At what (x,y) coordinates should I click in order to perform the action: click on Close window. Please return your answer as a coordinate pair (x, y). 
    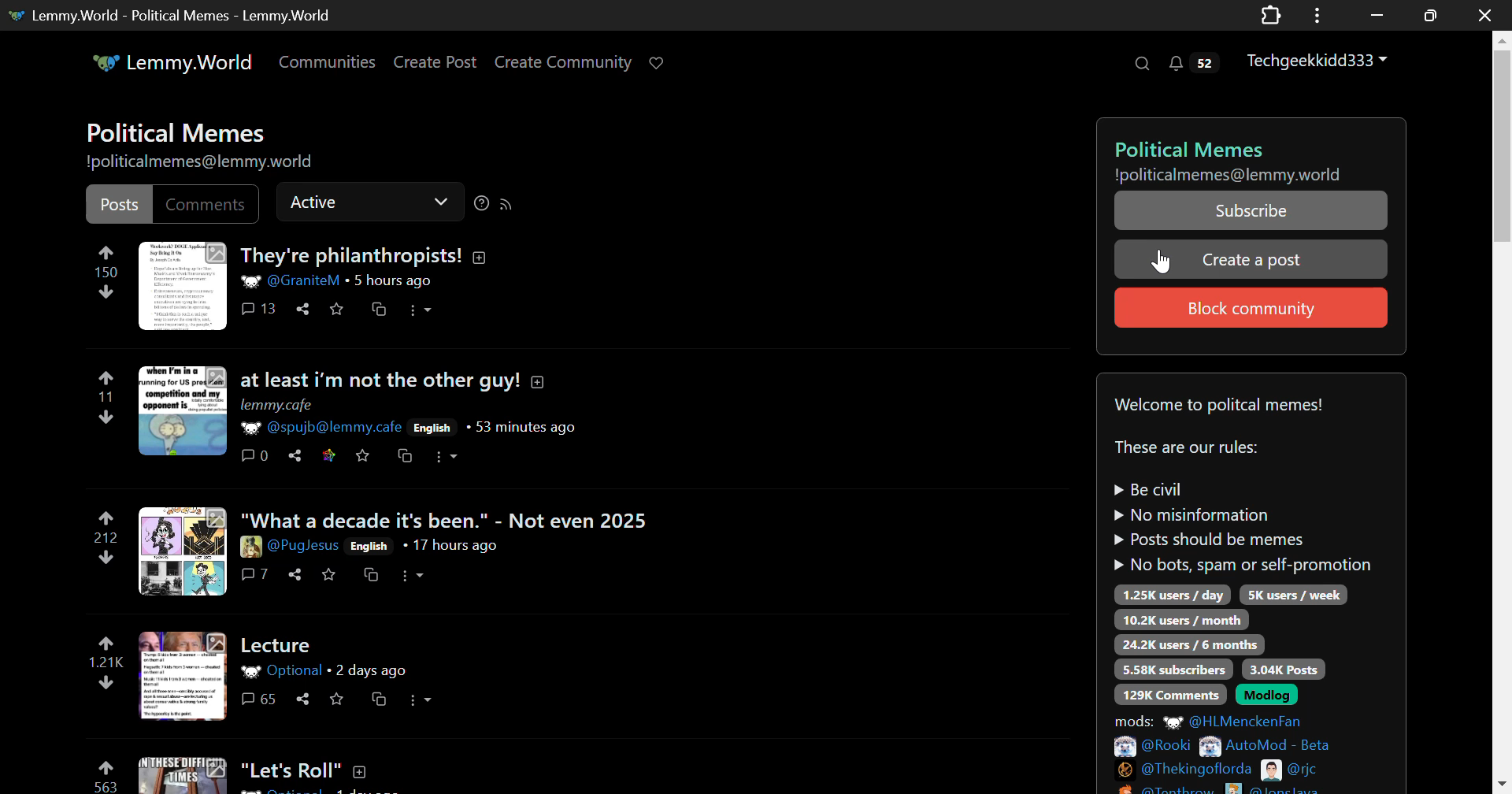
    Looking at the image, I should click on (1487, 14).